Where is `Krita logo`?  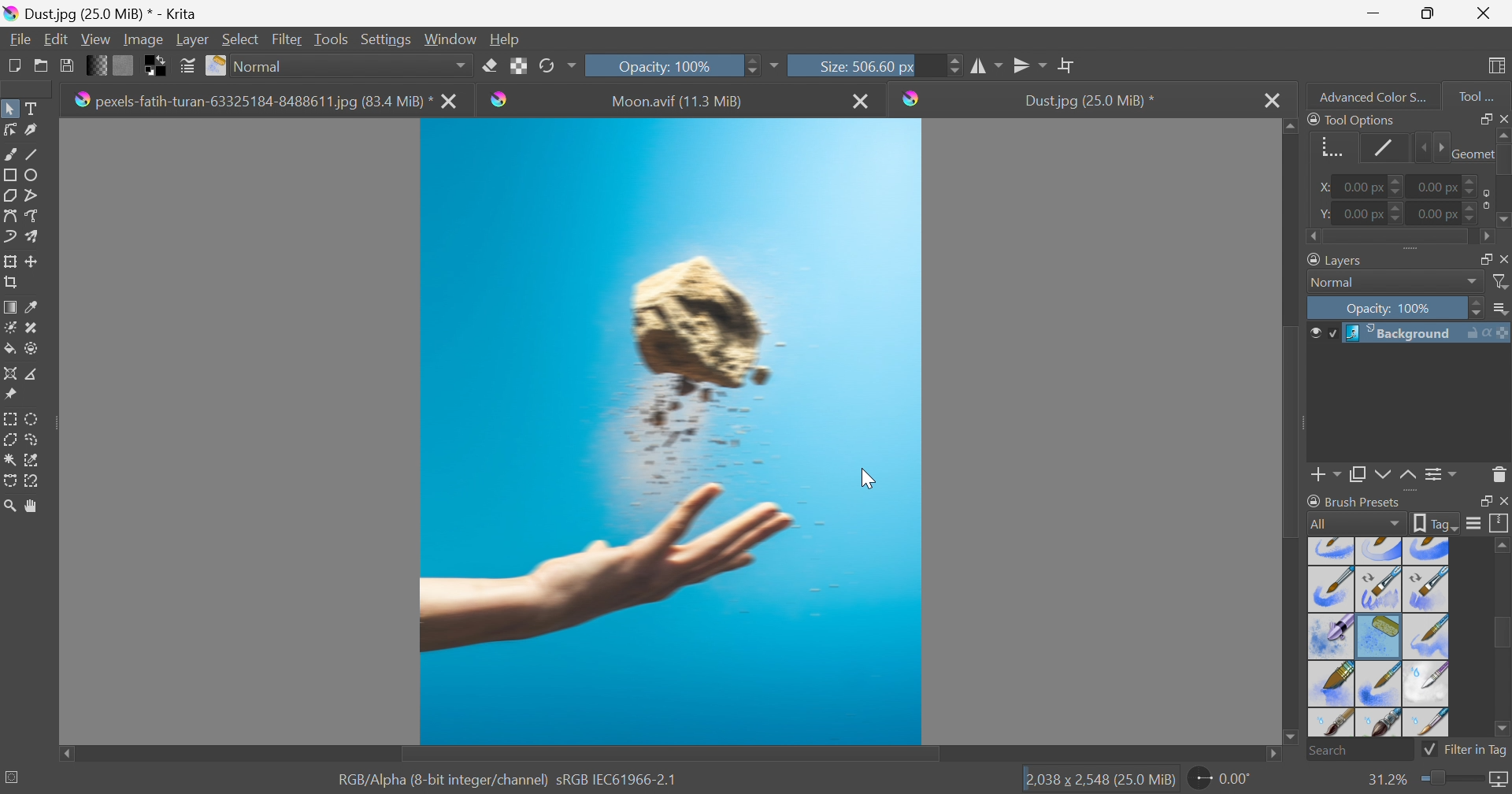 Krita logo is located at coordinates (912, 98).